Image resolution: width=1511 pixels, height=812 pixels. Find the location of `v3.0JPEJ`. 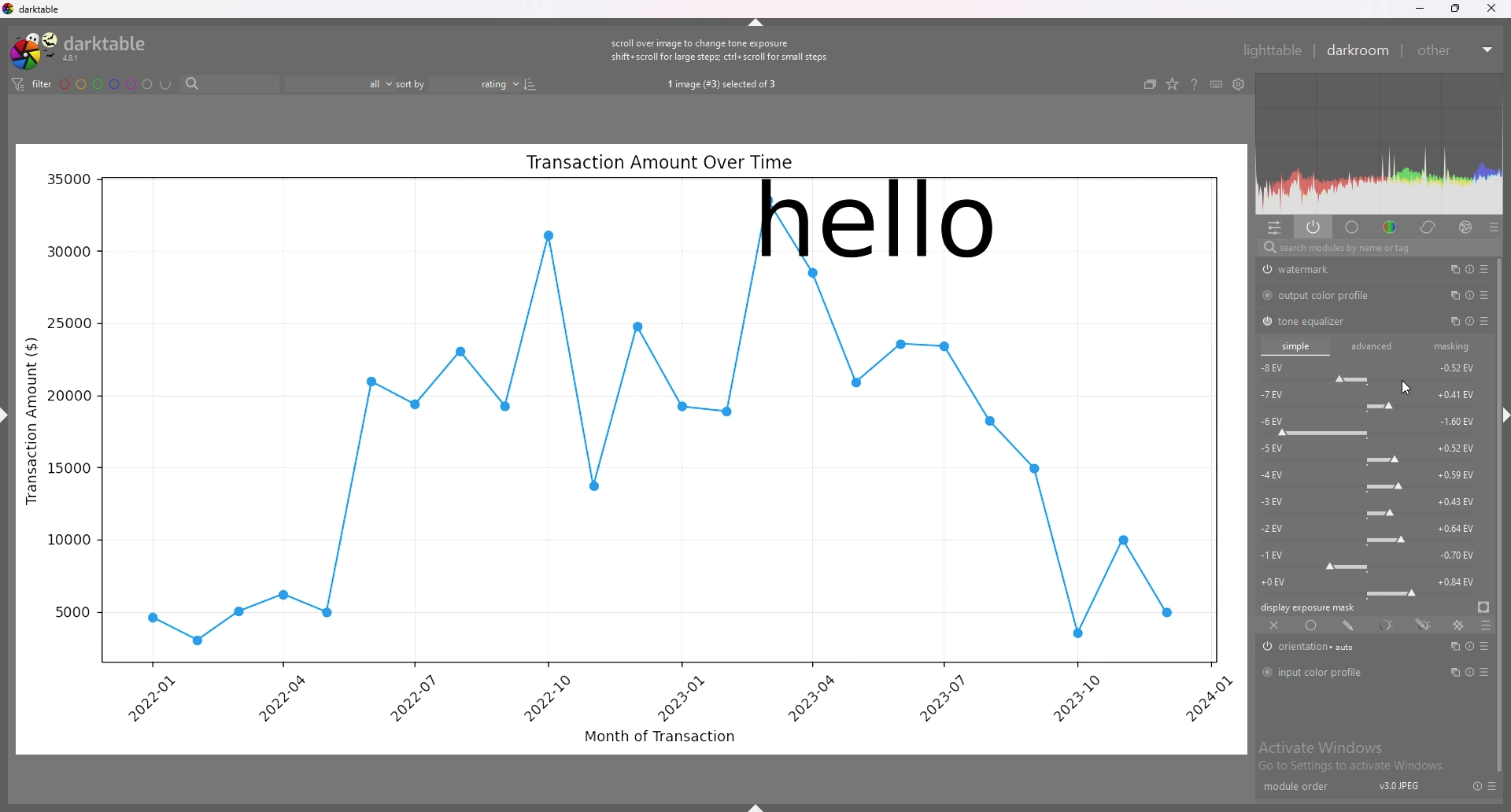

v3.0JPEJ is located at coordinates (1396, 786).